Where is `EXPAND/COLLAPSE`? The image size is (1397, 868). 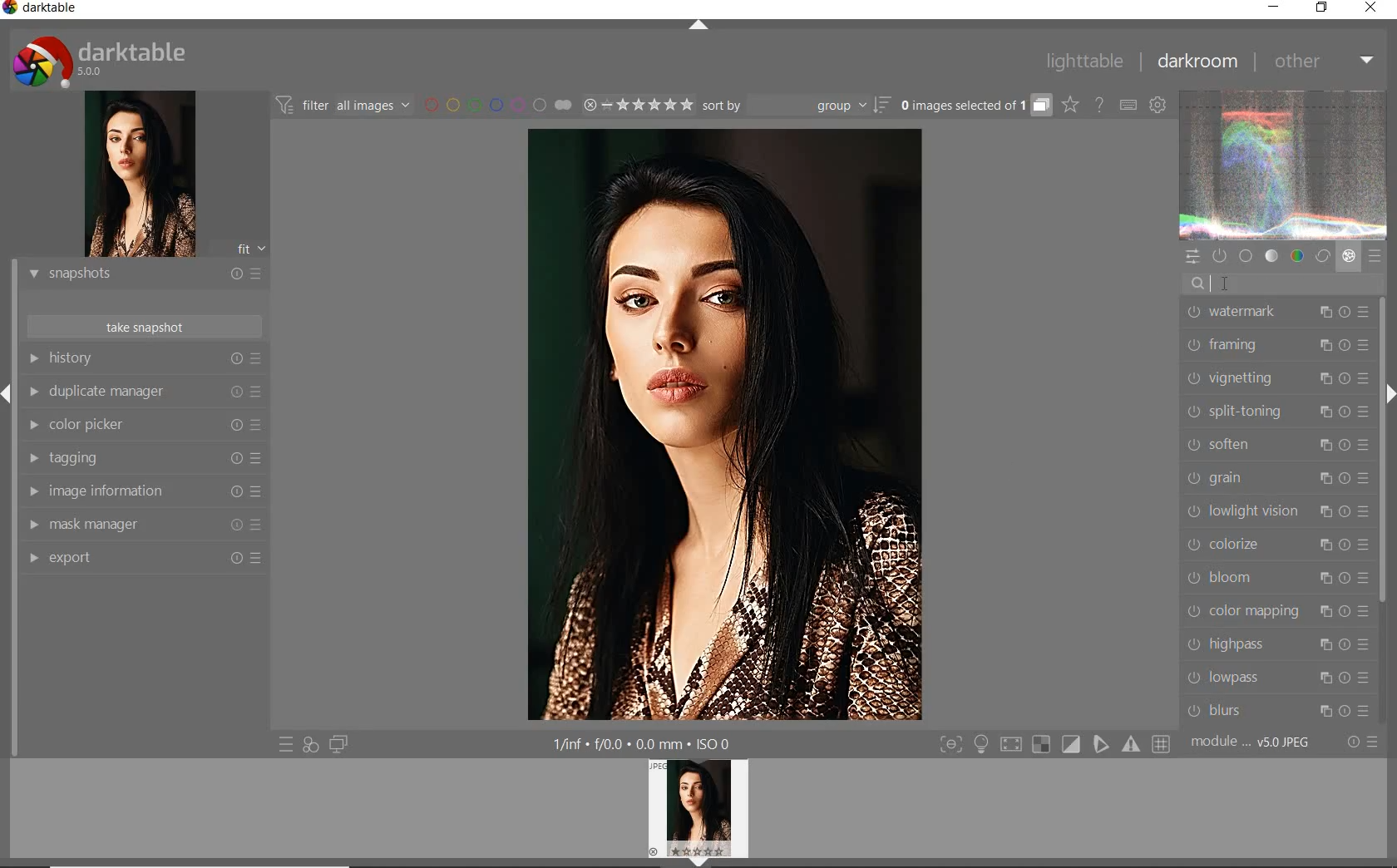
EXPAND/COLLAPSE is located at coordinates (696, 26).